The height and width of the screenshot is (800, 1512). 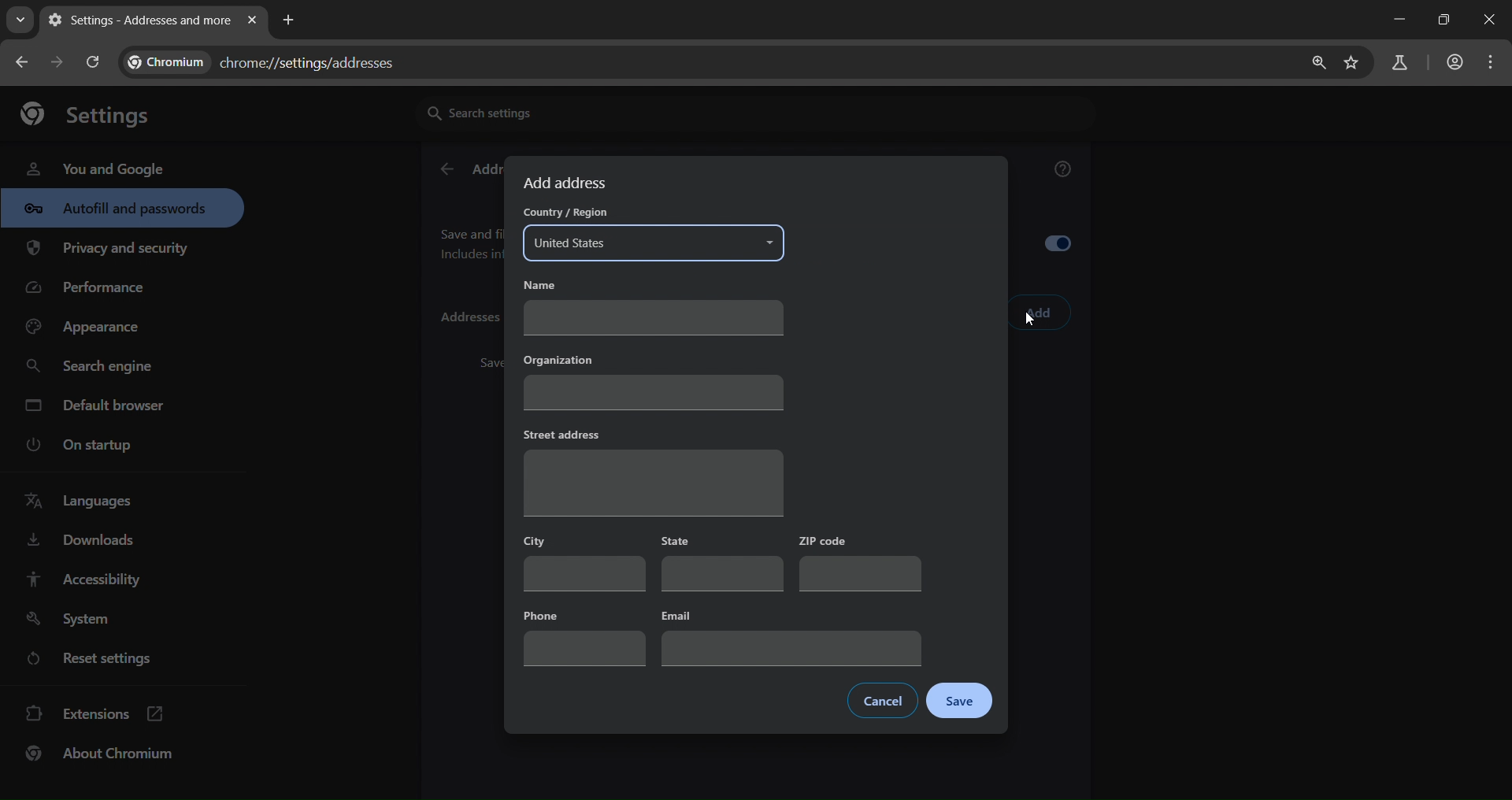 I want to click on zip code, so click(x=860, y=563).